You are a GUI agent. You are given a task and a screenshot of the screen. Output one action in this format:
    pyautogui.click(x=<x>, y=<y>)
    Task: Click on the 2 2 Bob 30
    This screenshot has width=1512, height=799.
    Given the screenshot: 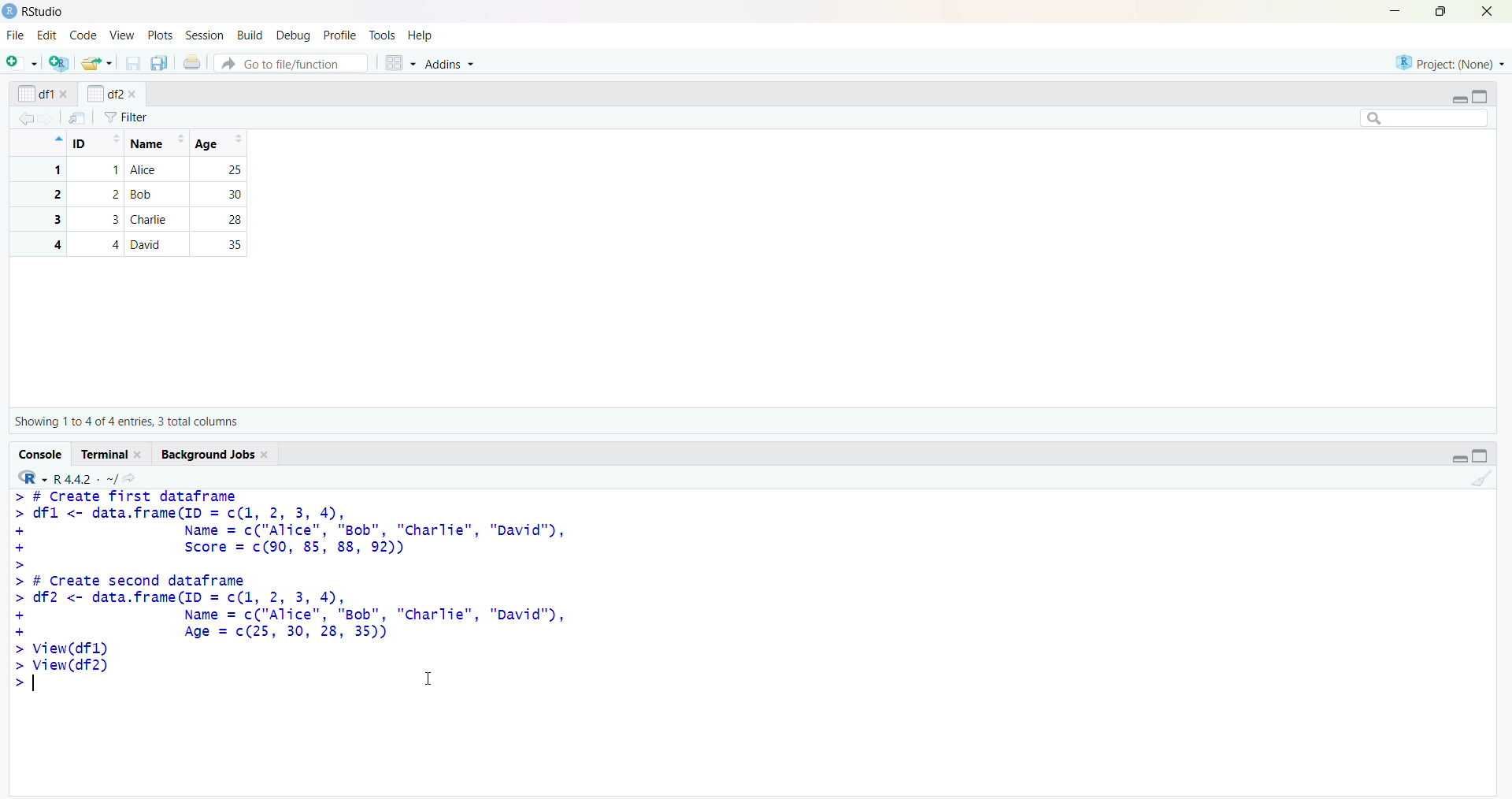 What is the action you would take?
    pyautogui.click(x=135, y=195)
    